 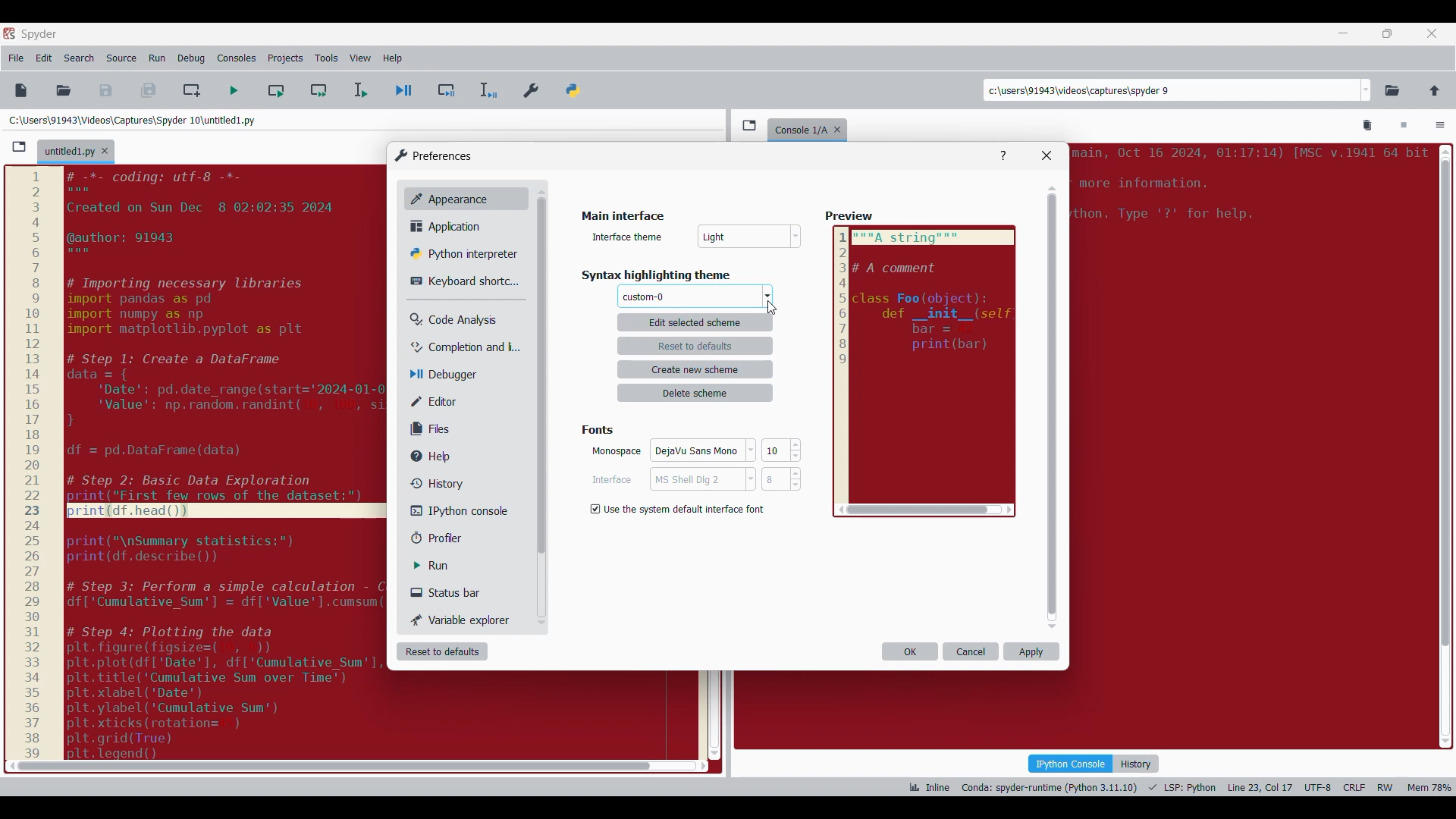 I want to click on Location options, so click(x=1367, y=90).